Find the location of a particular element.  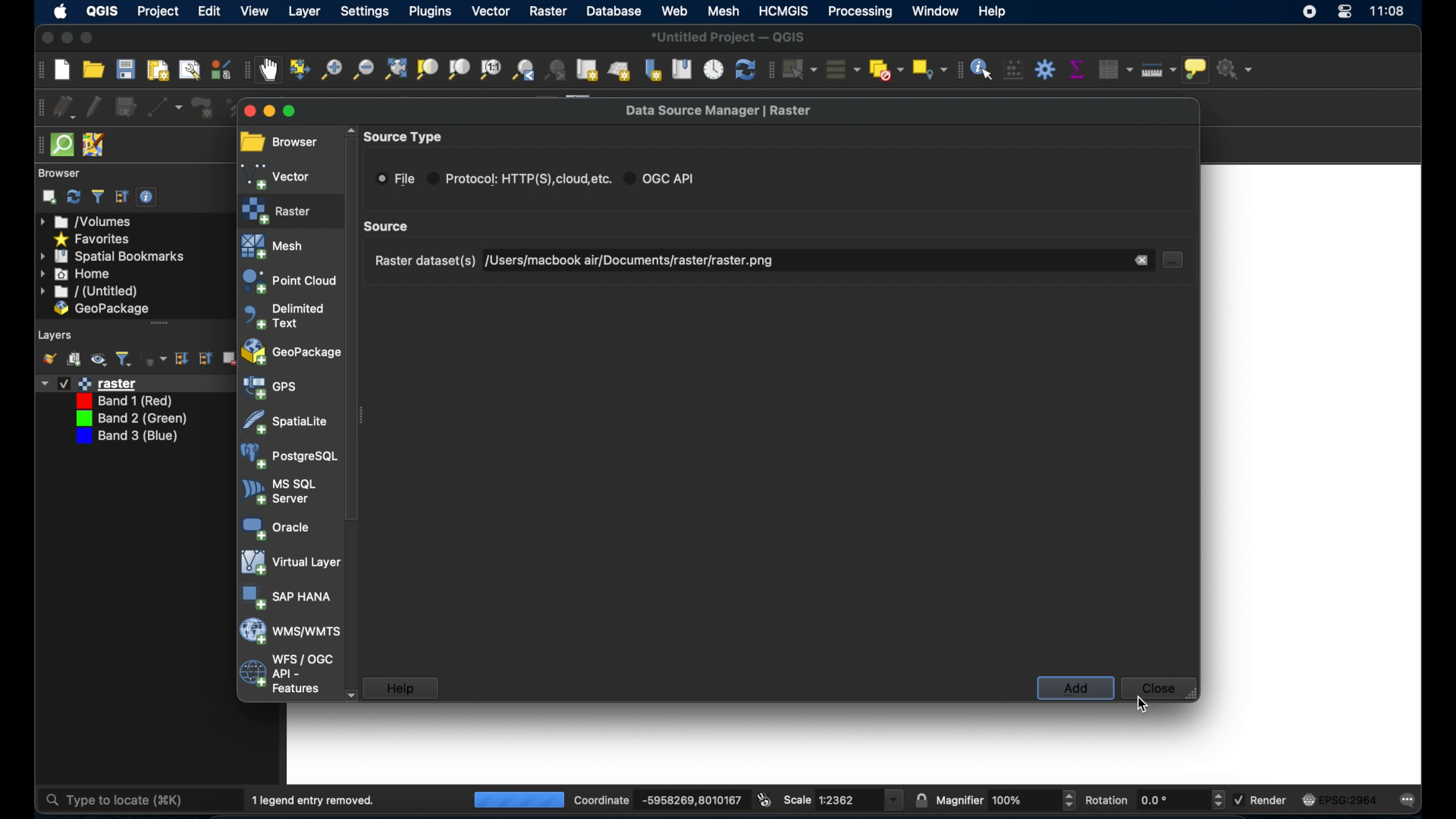

remove is located at coordinates (1141, 260).